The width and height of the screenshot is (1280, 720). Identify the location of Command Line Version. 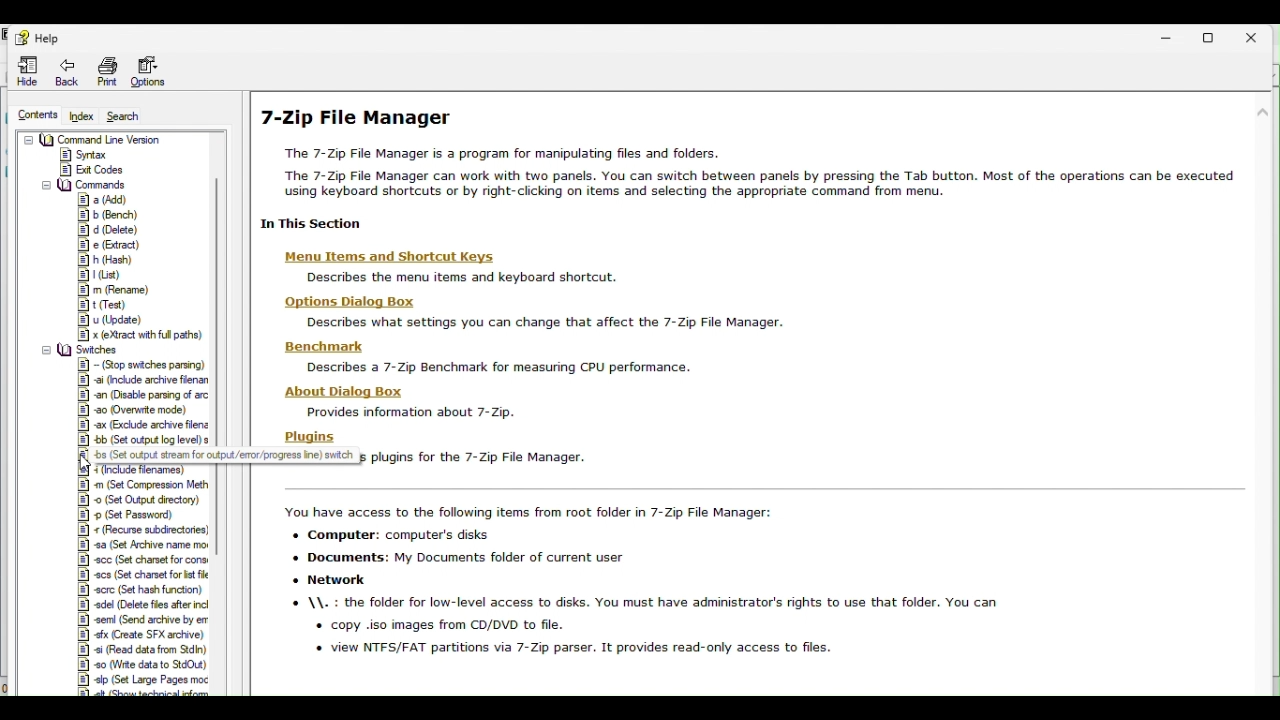
(122, 154).